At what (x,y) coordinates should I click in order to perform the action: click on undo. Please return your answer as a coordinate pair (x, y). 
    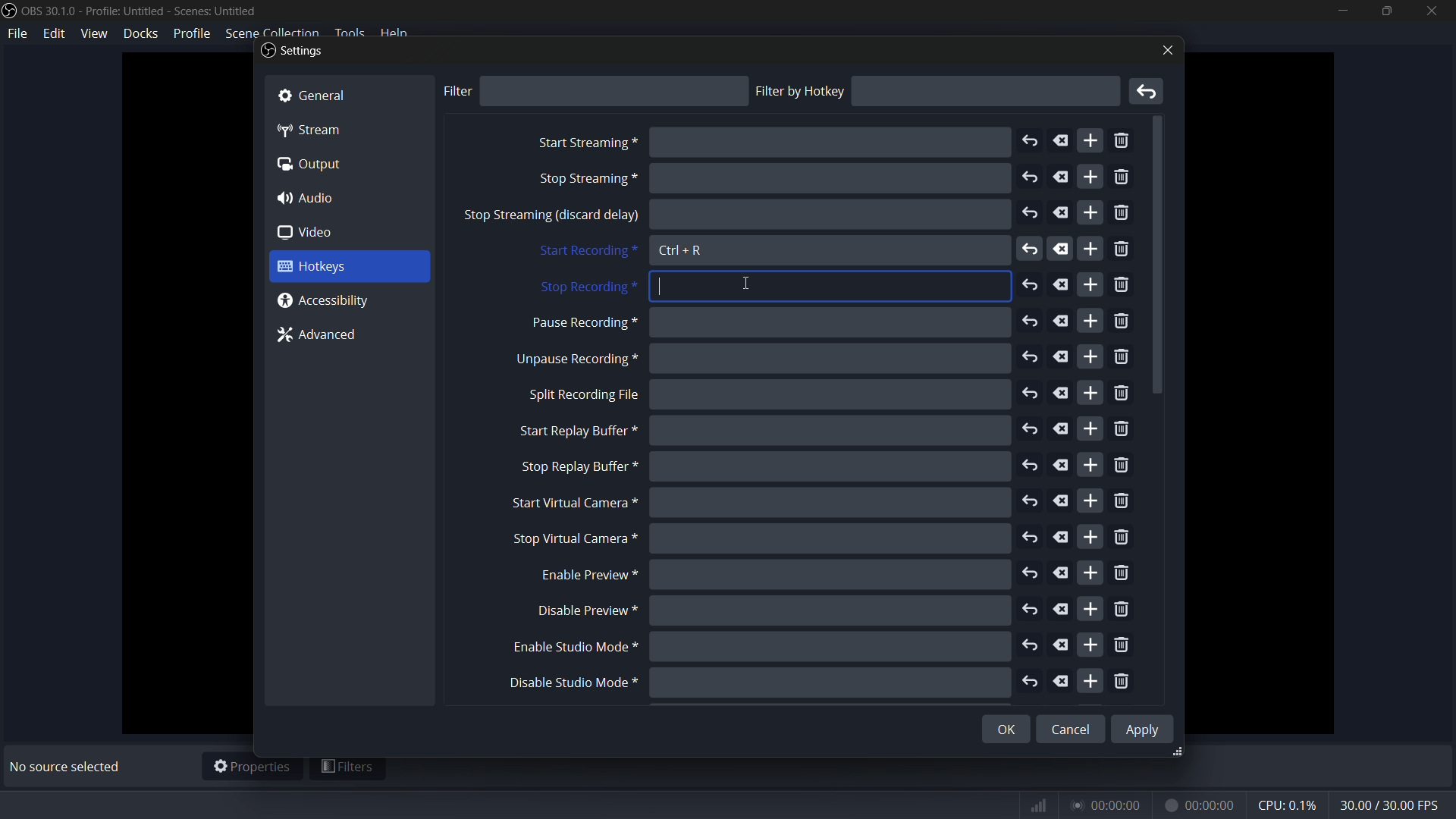
    Looking at the image, I should click on (1031, 466).